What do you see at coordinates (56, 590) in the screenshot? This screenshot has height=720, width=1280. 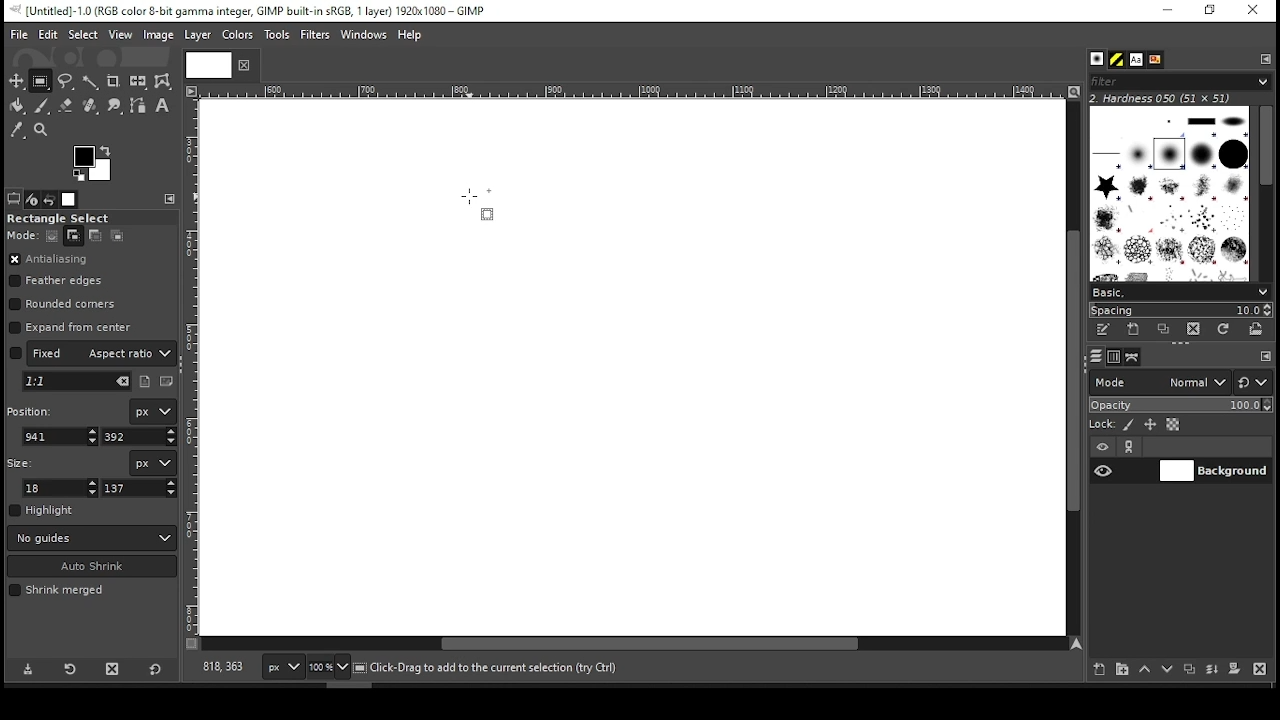 I see `shrink merged` at bounding box center [56, 590].